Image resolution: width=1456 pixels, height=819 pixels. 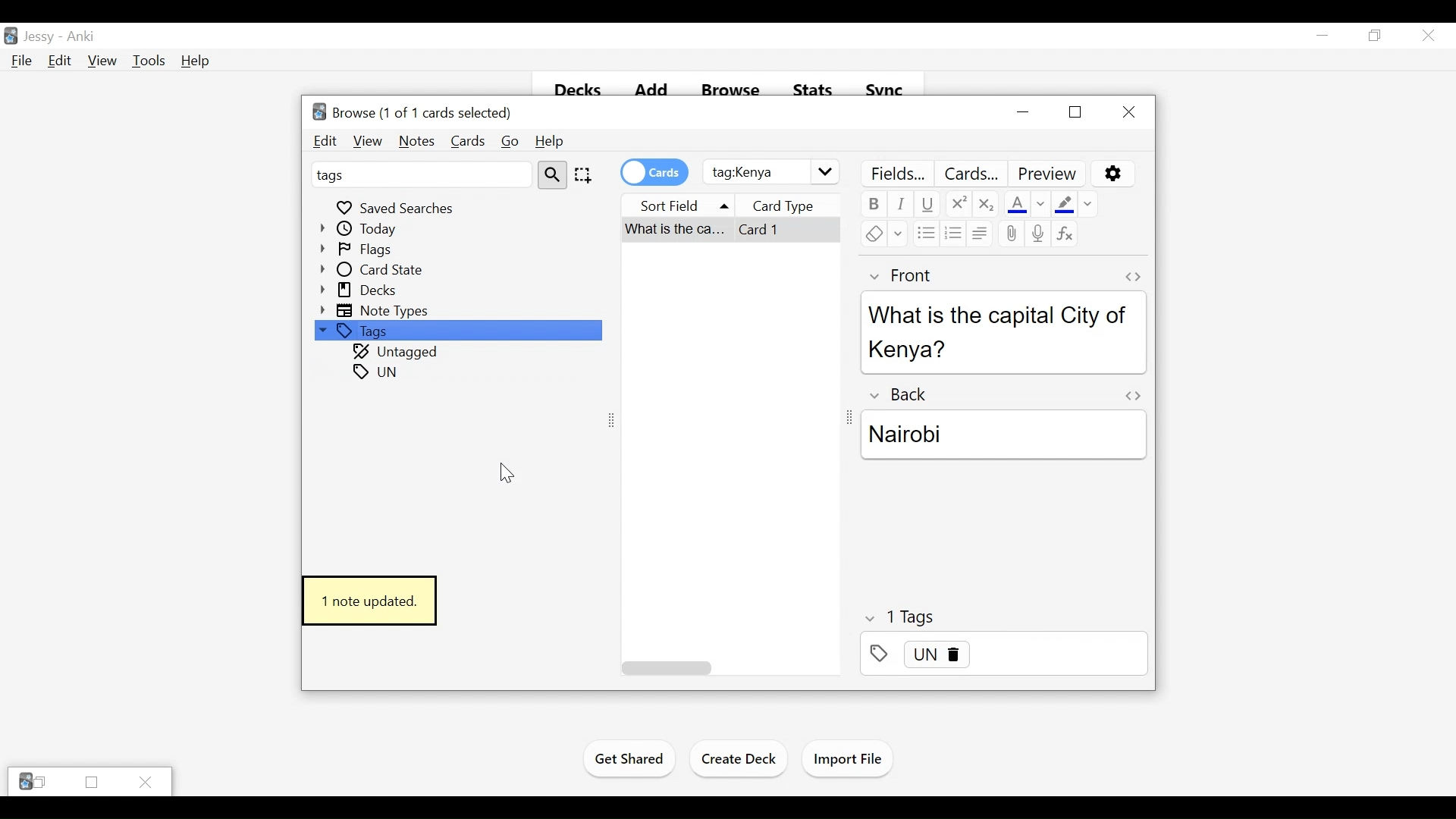 What do you see at coordinates (873, 234) in the screenshot?
I see `Remove Formatting` at bounding box center [873, 234].